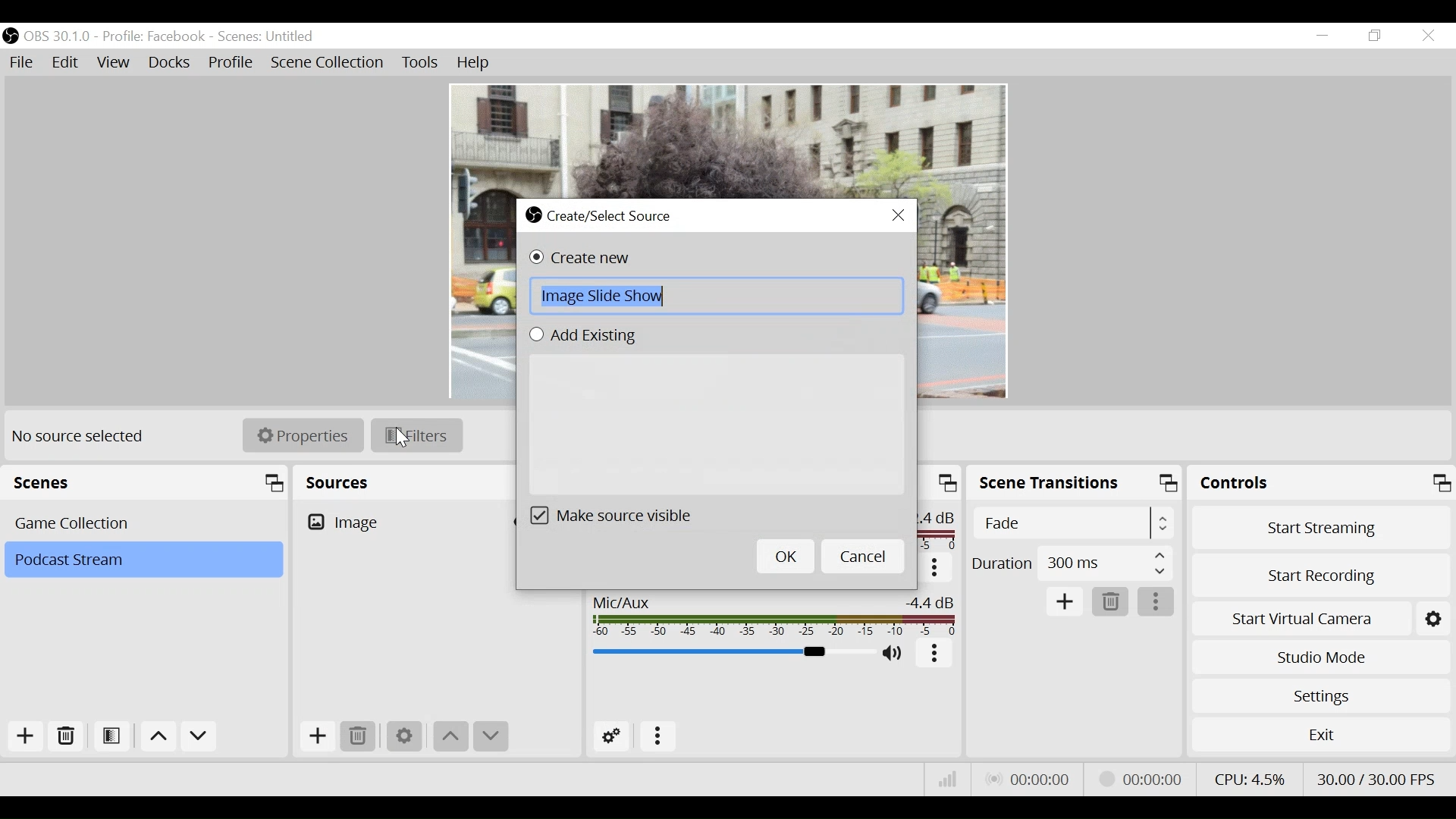 The image size is (1456, 819). What do you see at coordinates (149, 483) in the screenshot?
I see `Scenes` at bounding box center [149, 483].